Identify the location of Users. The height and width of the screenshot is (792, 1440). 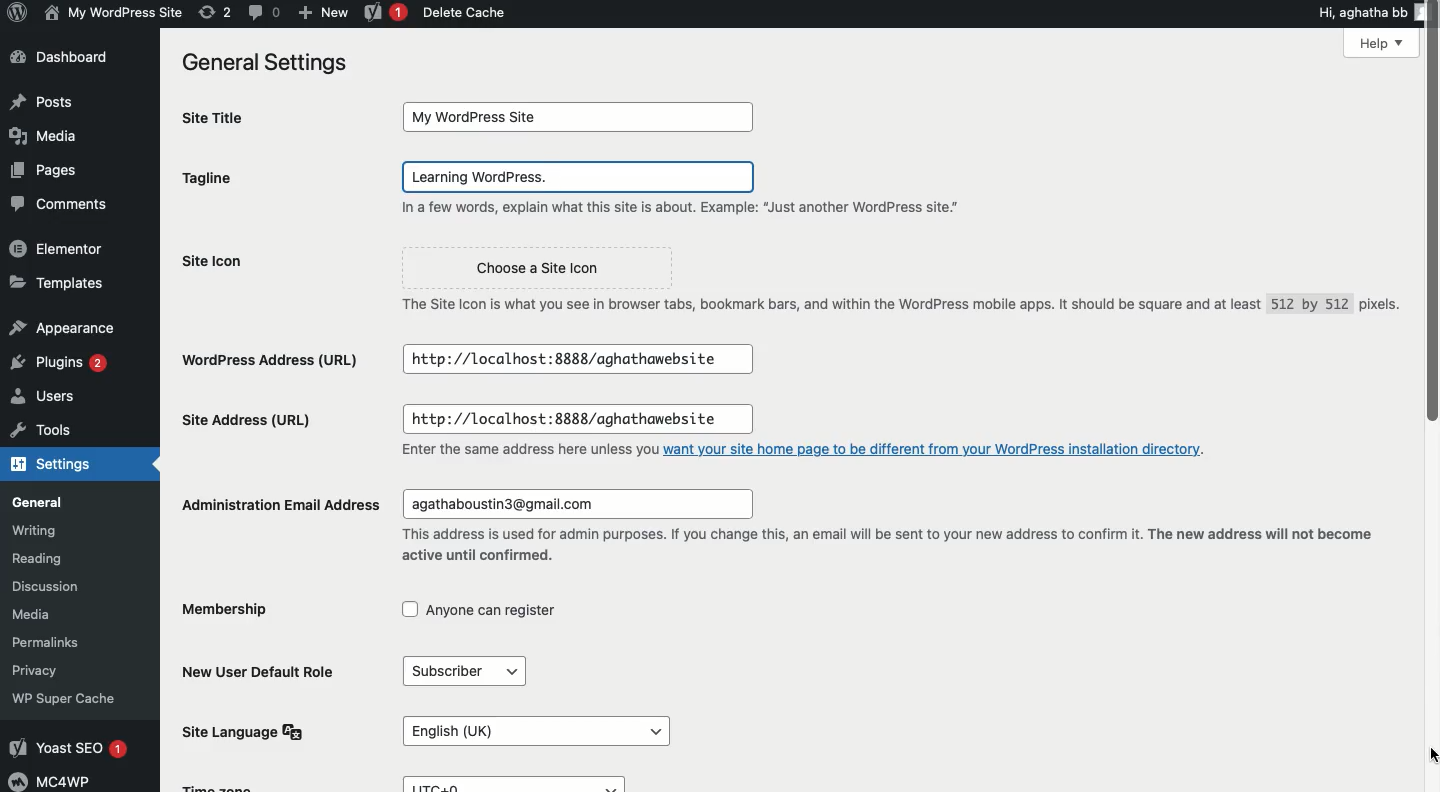
(61, 399).